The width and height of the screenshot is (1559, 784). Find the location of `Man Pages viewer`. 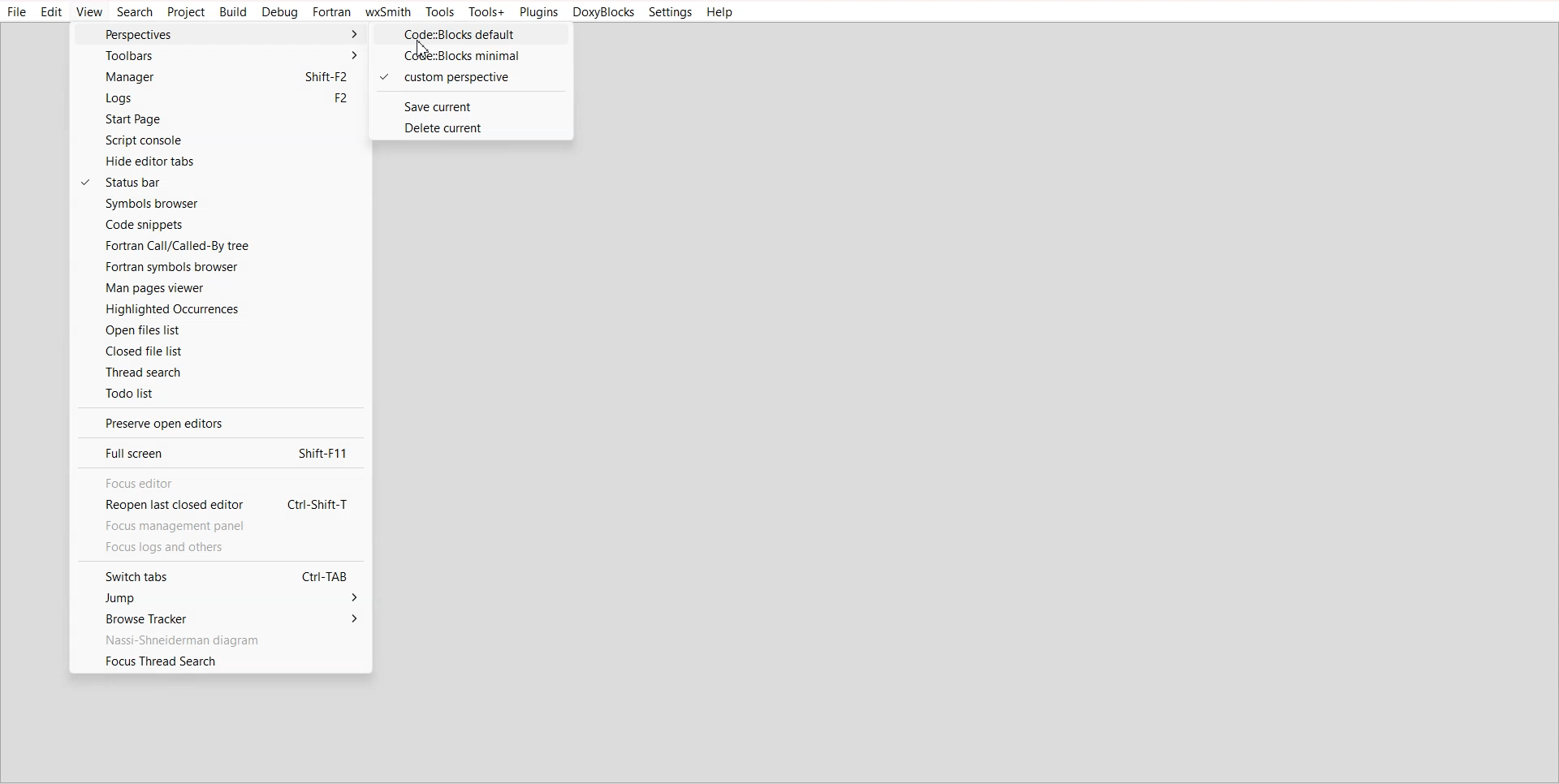

Man Pages viewer is located at coordinates (219, 288).